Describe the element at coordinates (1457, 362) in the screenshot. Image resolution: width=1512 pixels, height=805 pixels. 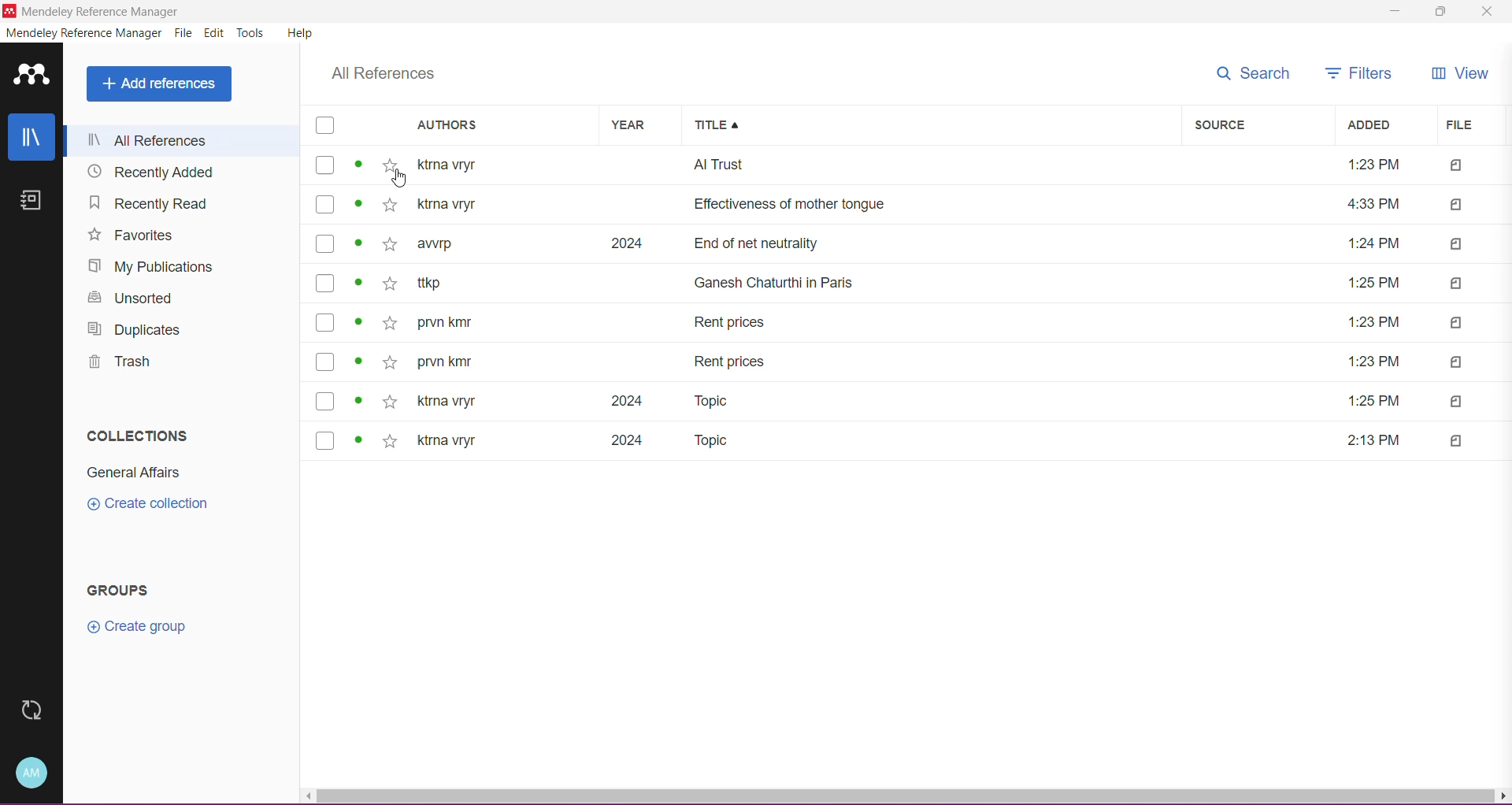
I see `Indicates file type` at that location.